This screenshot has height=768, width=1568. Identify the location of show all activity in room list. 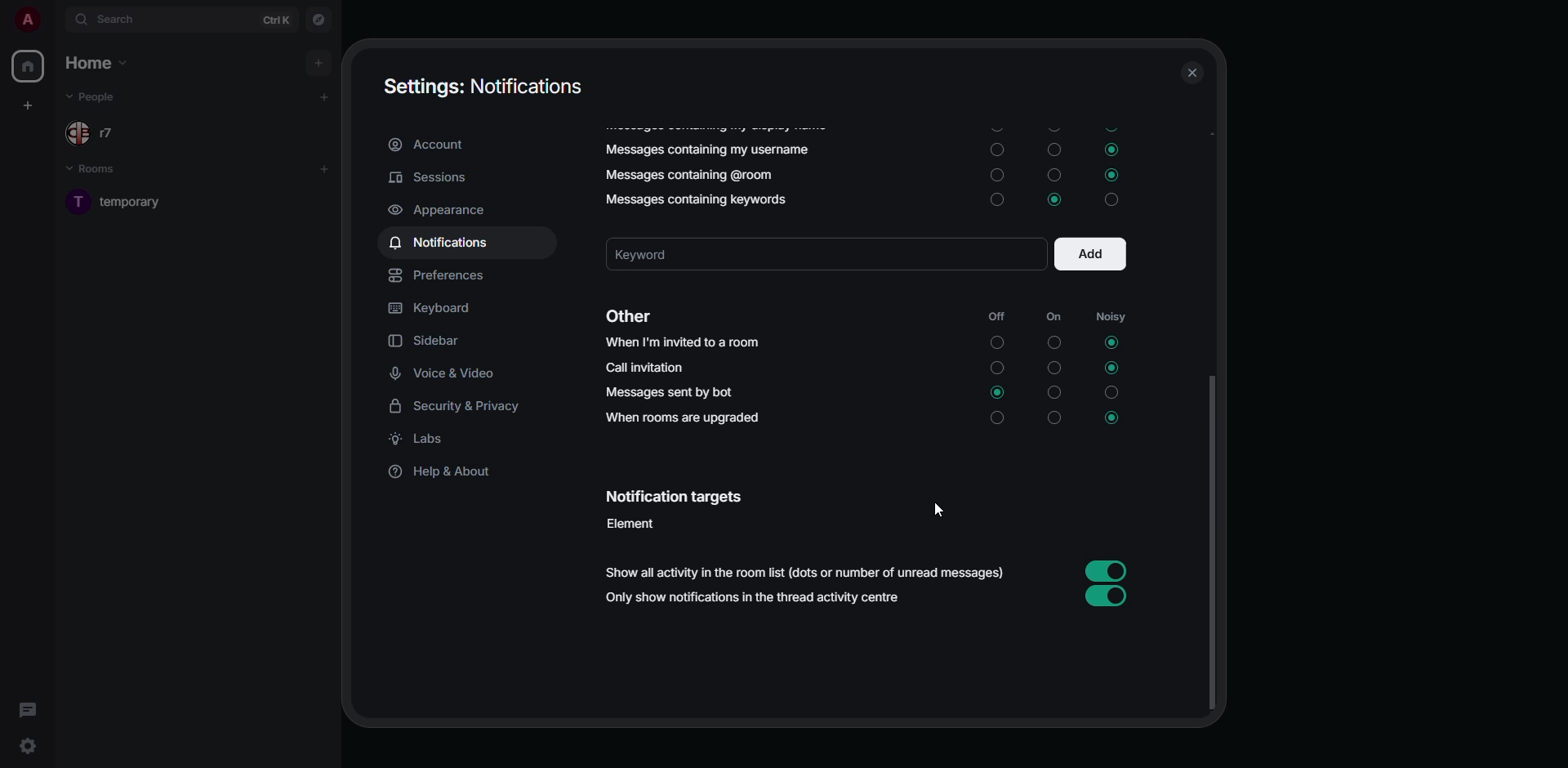
(806, 572).